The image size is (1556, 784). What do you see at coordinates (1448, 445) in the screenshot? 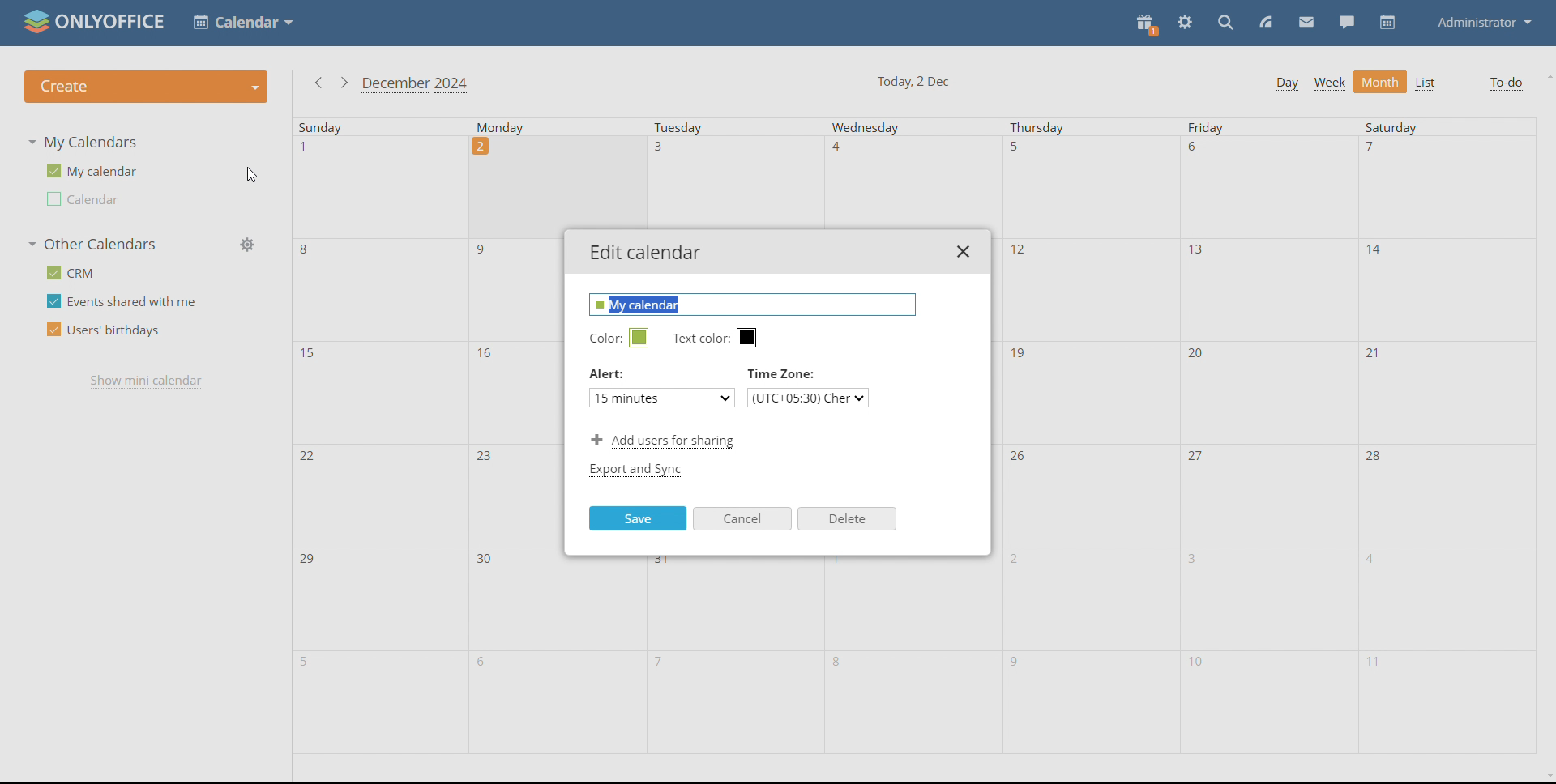
I see `saturday` at bounding box center [1448, 445].